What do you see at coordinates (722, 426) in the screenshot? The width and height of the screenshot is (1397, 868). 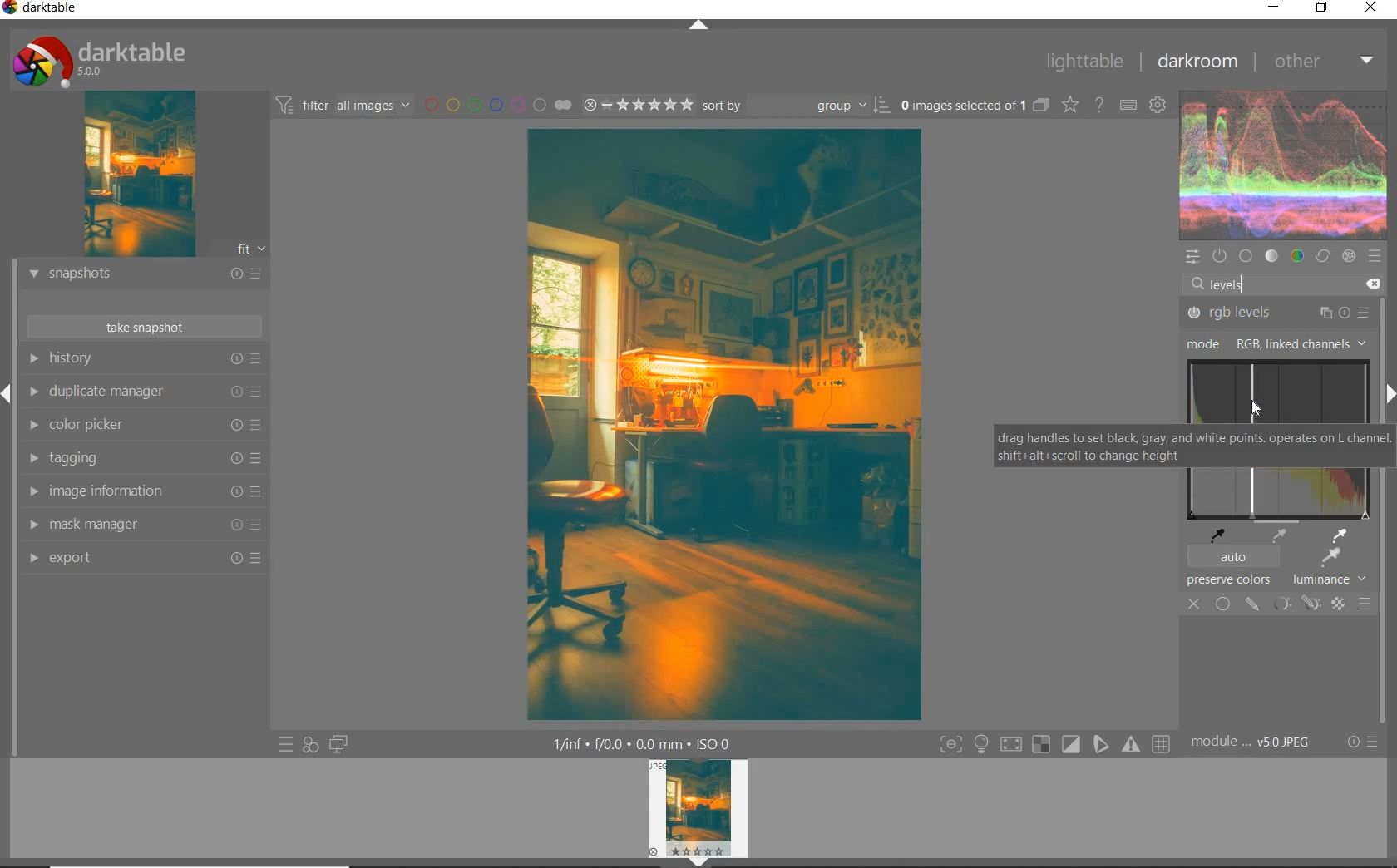 I see `selected image` at bounding box center [722, 426].